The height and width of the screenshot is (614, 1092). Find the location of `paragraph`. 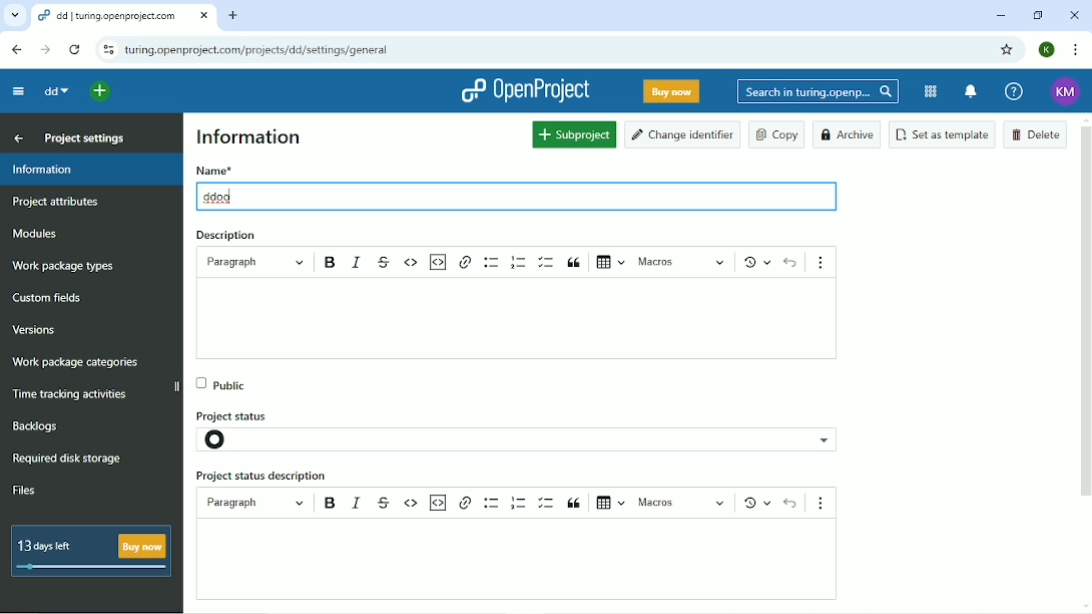

paragraph is located at coordinates (255, 503).